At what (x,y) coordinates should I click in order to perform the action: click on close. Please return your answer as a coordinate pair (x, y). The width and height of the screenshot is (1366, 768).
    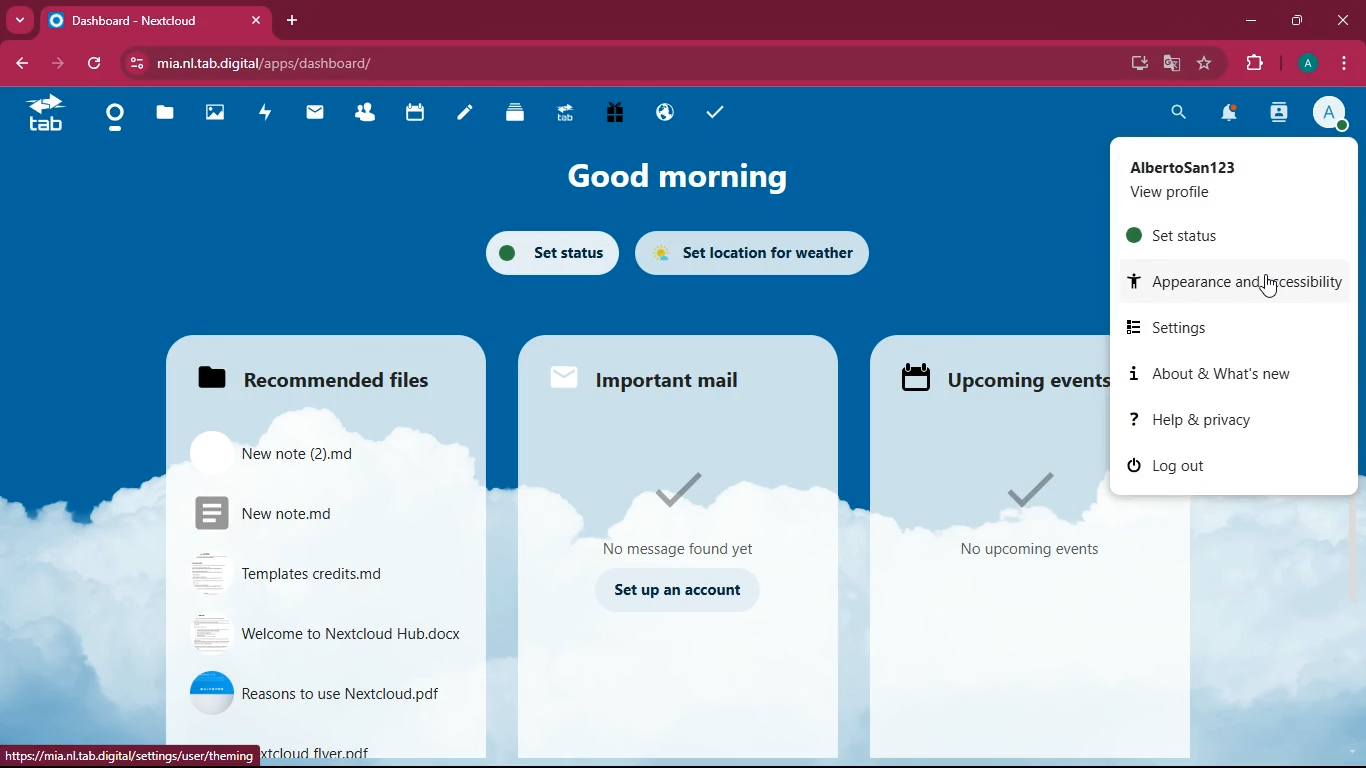
    Looking at the image, I should click on (1344, 19).